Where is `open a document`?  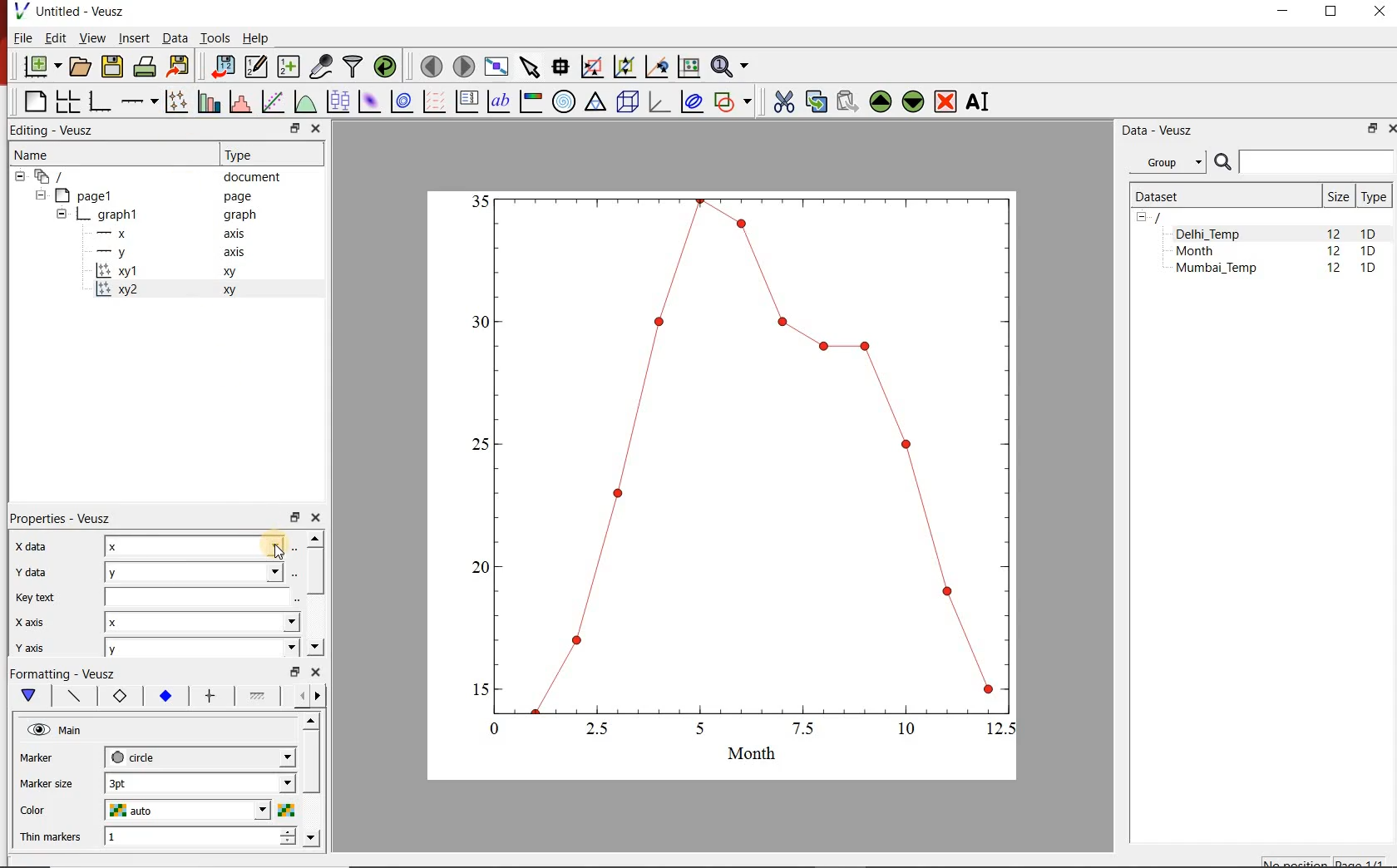
open a document is located at coordinates (79, 67).